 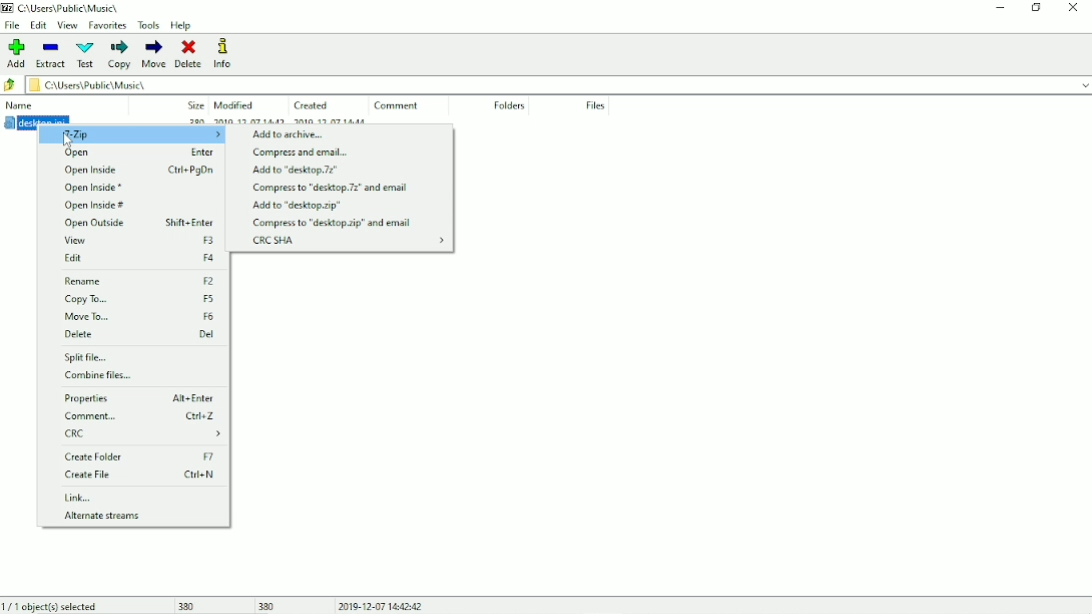 What do you see at coordinates (291, 134) in the screenshot?
I see `Add to archive` at bounding box center [291, 134].